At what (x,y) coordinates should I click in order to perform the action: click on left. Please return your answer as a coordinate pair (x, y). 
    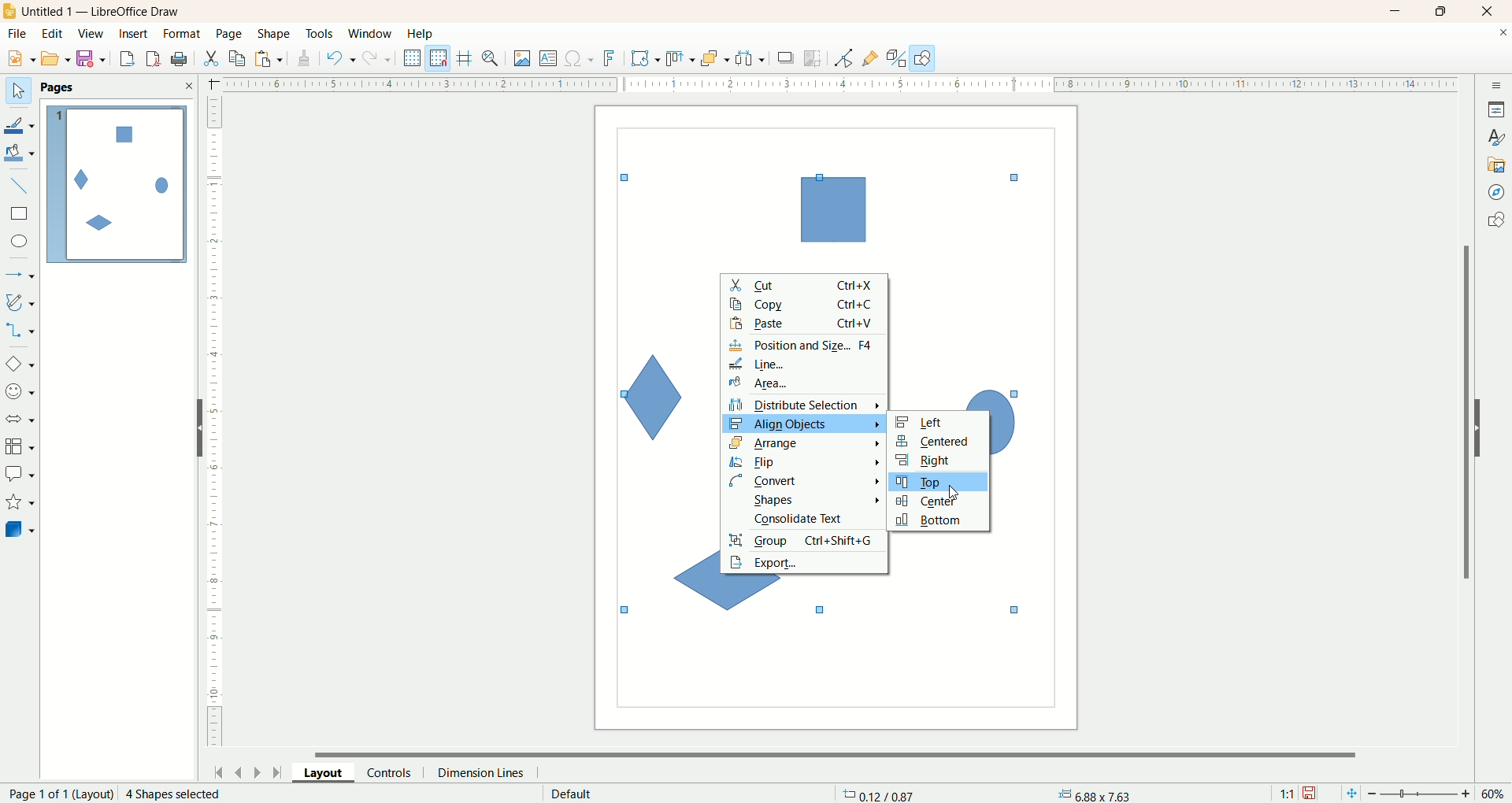
    Looking at the image, I should click on (937, 420).